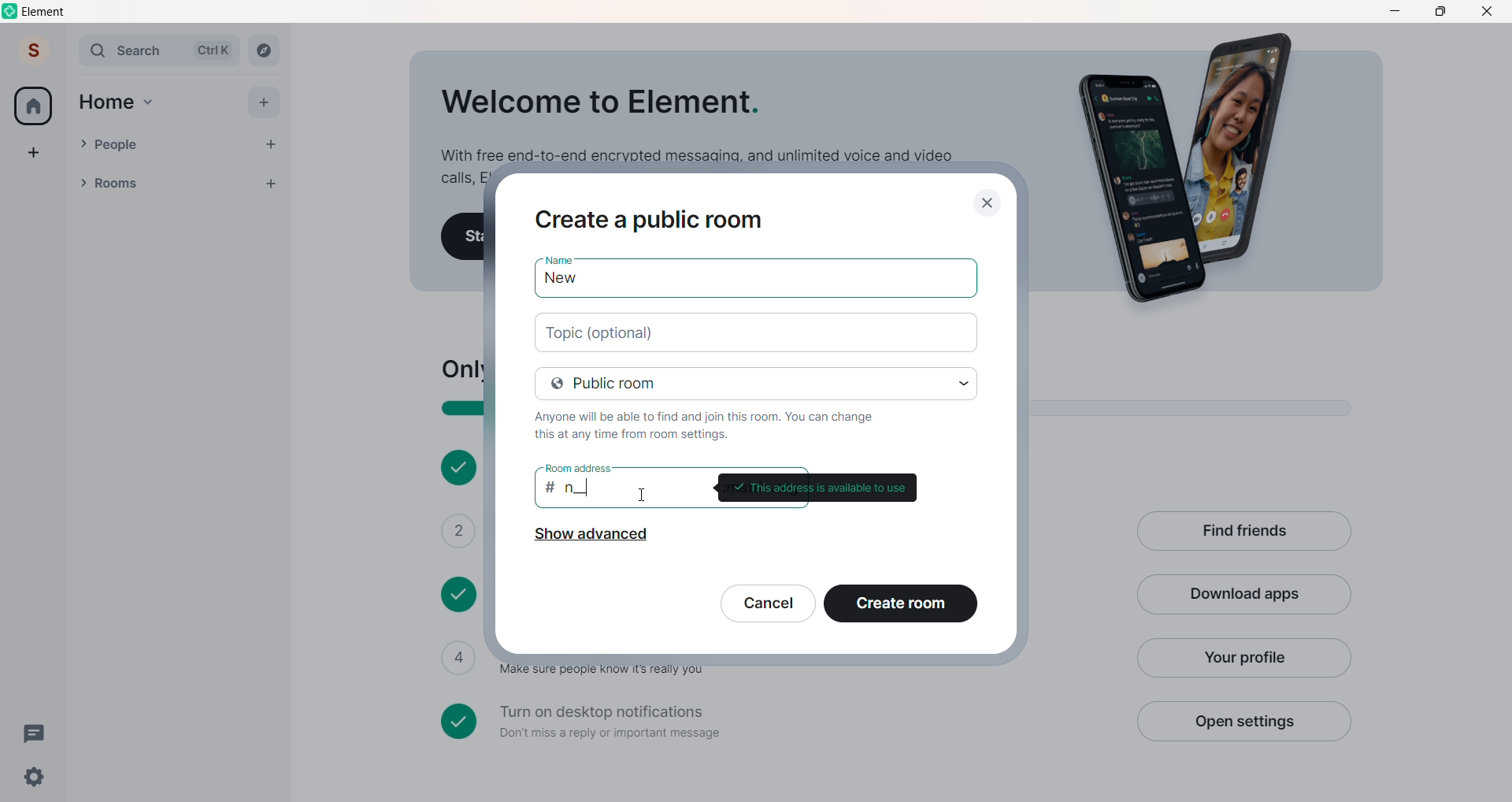 Image resolution: width=1512 pixels, height=802 pixels. Describe the element at coordinates (816, 488) in the screenshot. I see `This address is available to use` at that location.